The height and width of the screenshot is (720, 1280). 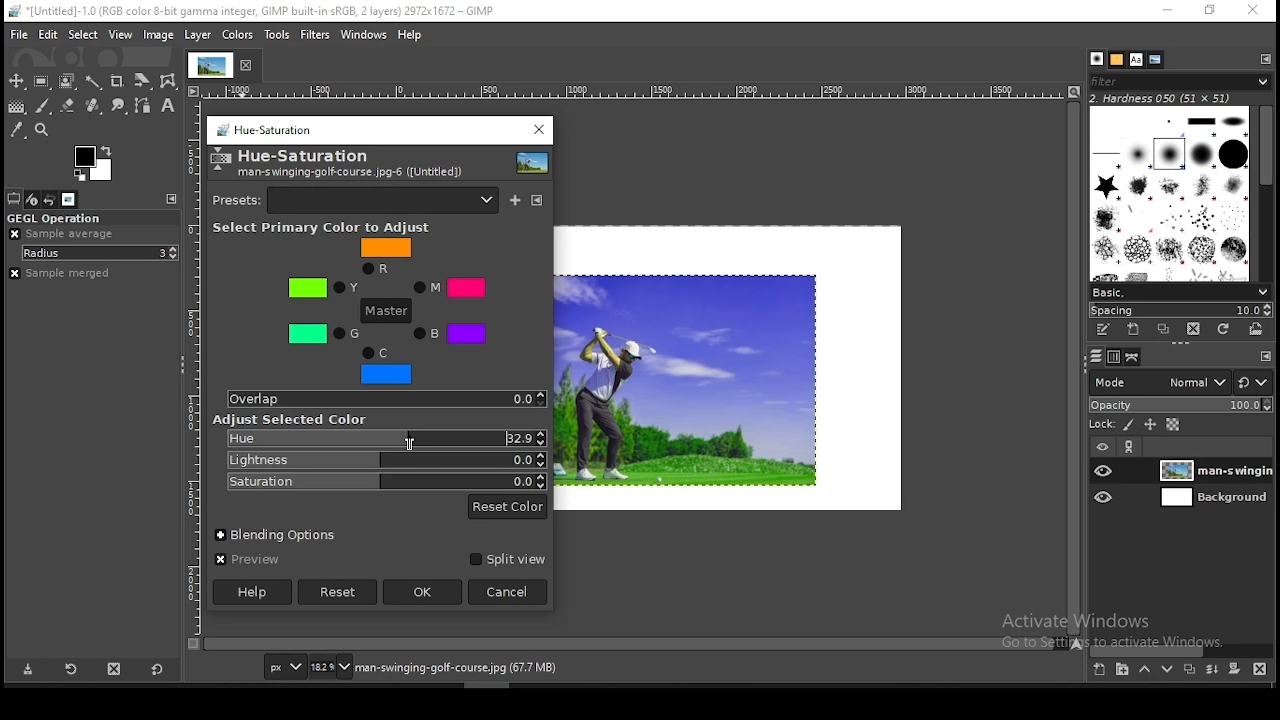 What do you see at coordinates (348, 174) in the screenshot?
I see `man-swinging-gold-couse.jpg-6([untitled])` at bounding box center [348, 174].